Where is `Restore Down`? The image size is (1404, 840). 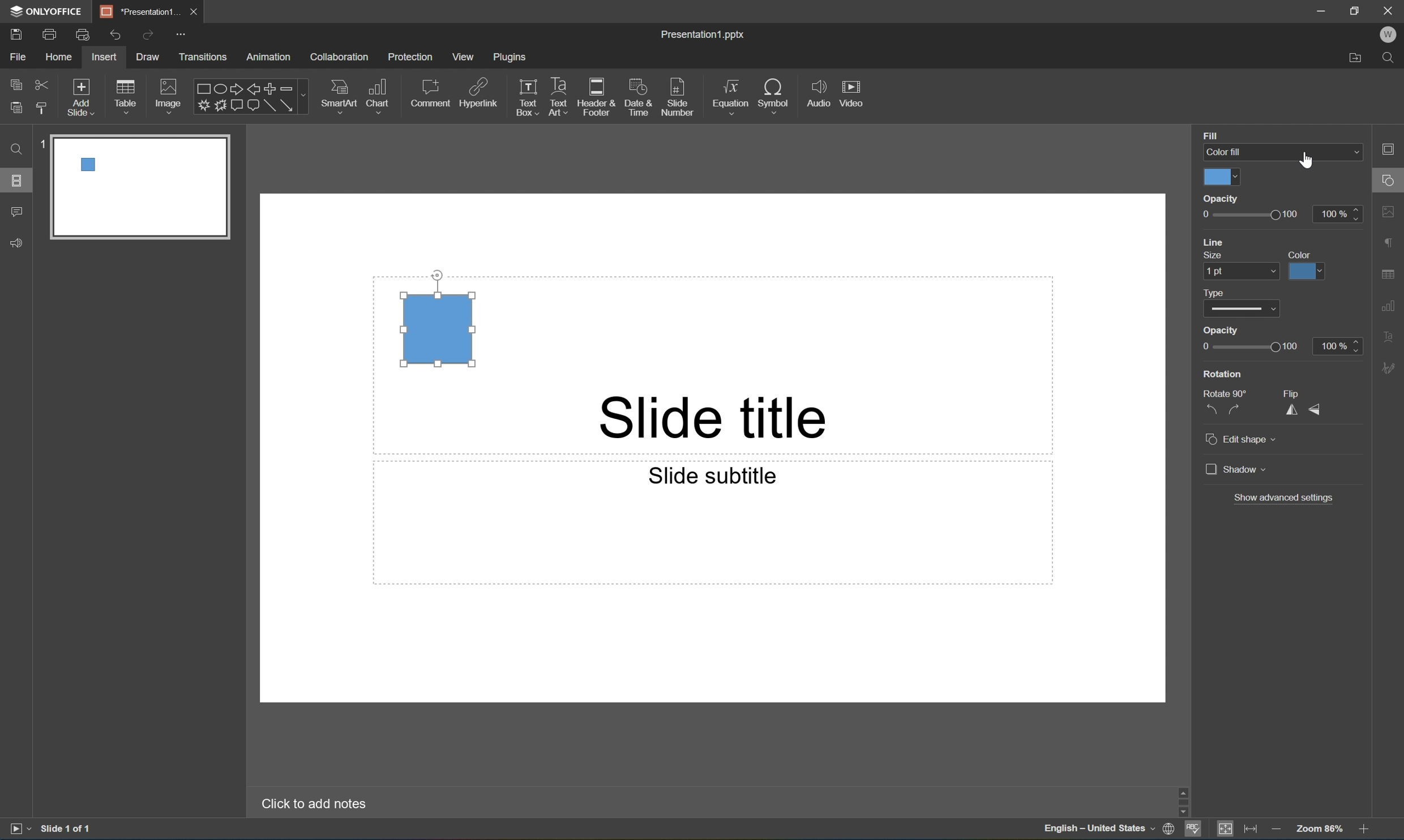
Restore Down is located at coordinates (1356, 8).